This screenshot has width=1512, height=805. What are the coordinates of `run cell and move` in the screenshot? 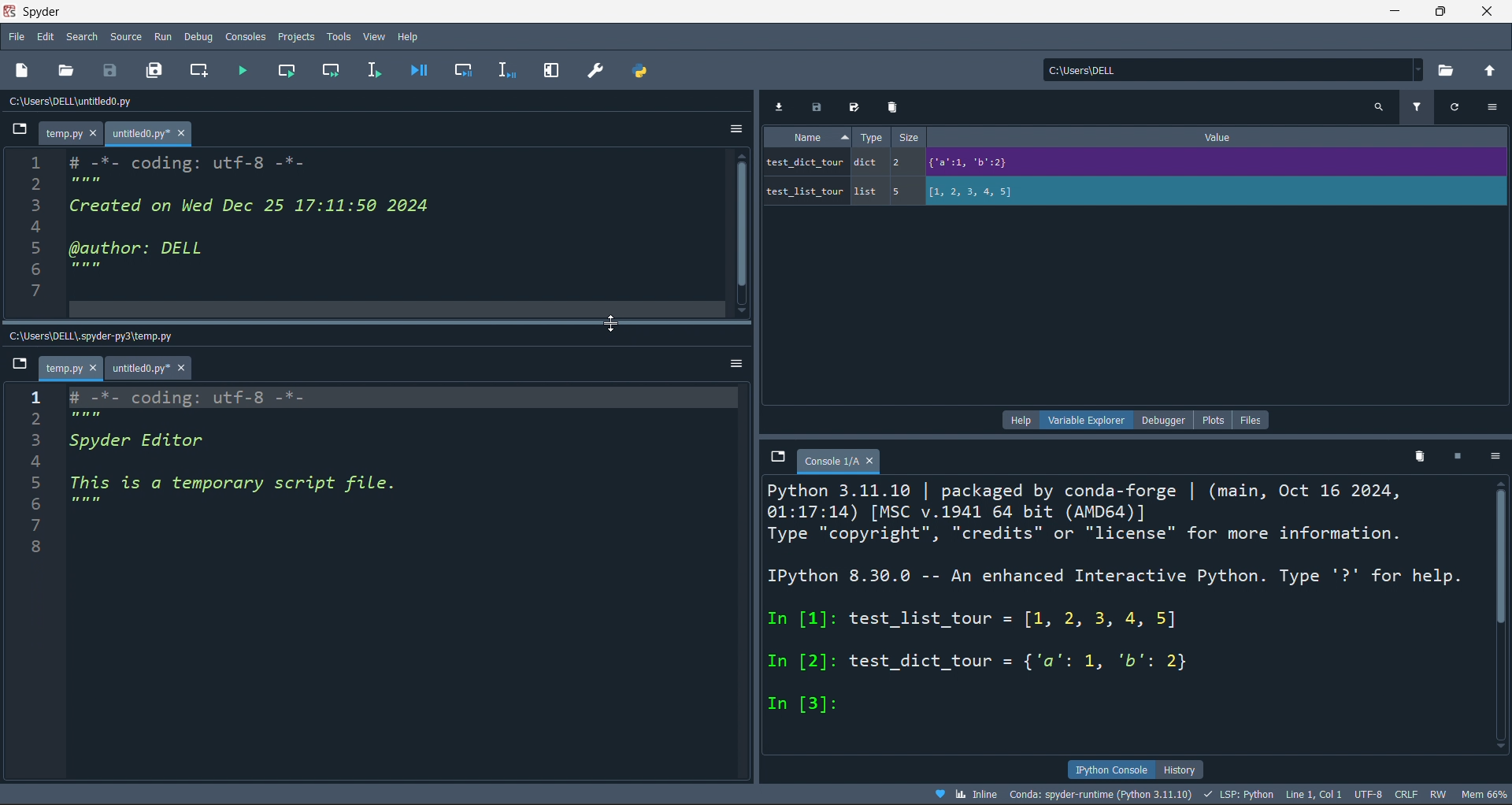 It's located at (332, 72).